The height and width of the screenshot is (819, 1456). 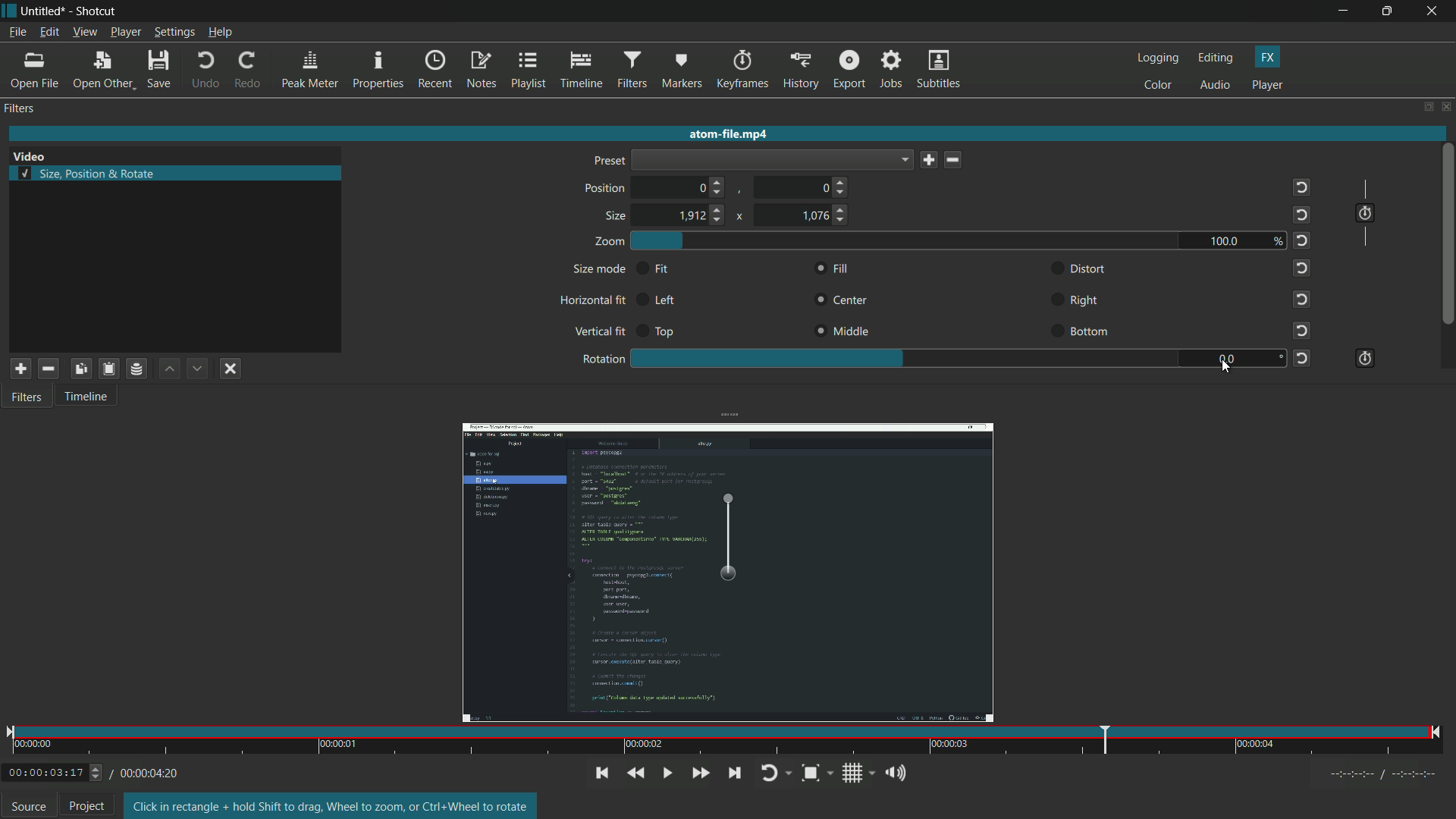 I want to click on player menu, so click(x=125, y=33).